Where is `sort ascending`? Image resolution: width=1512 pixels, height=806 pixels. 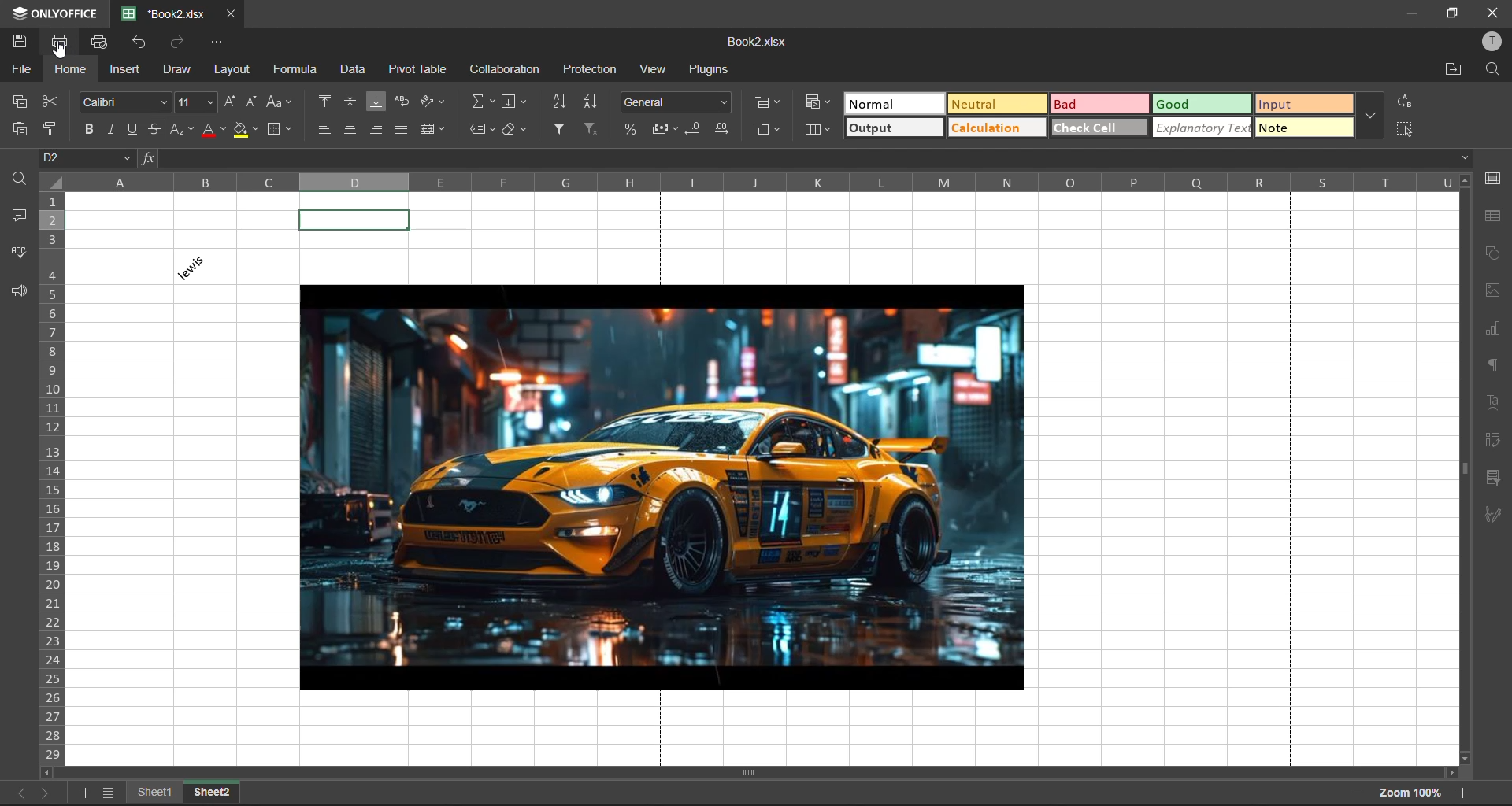
sort ascending is located at coordinates (561, 103).